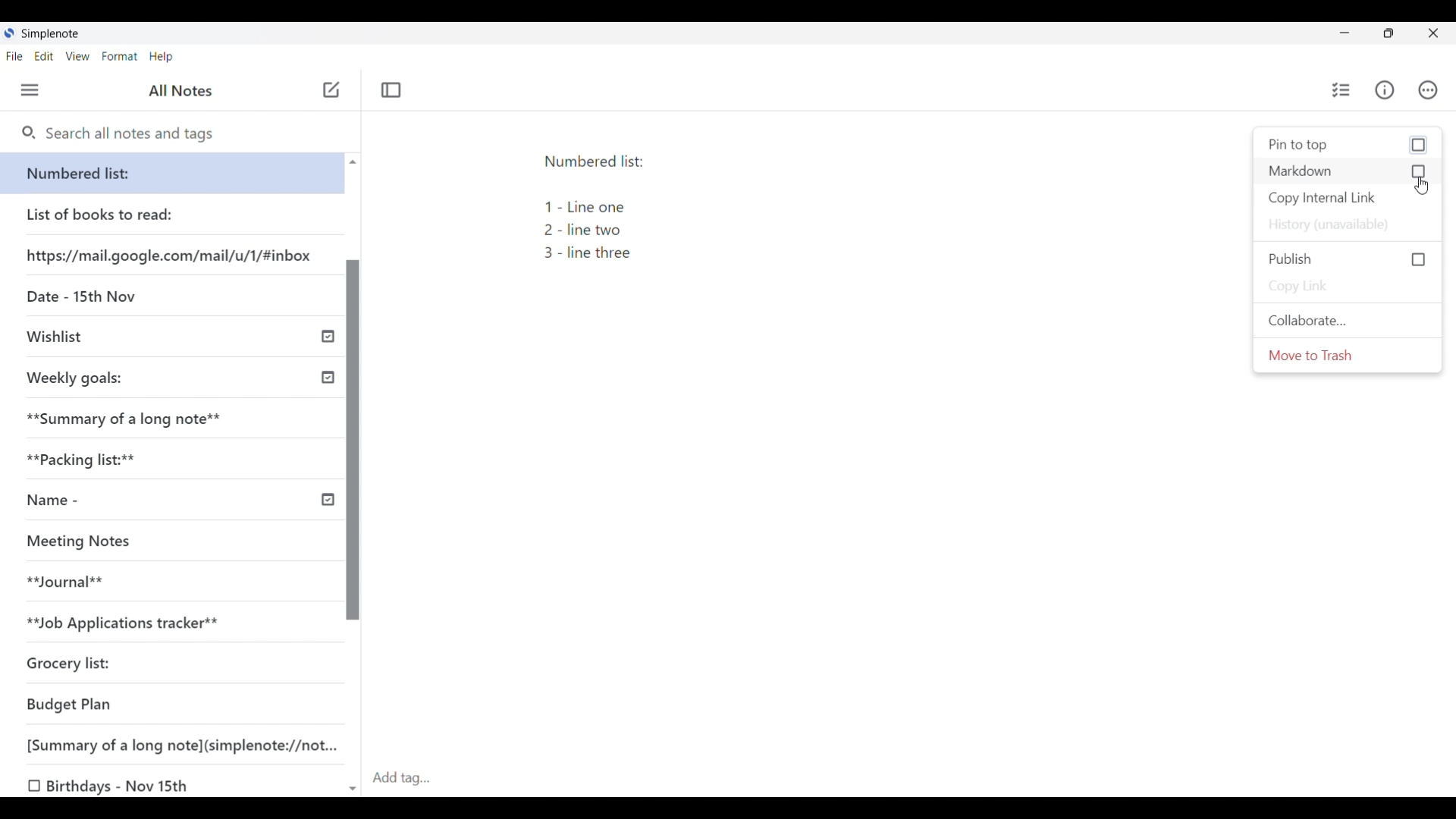  Describe the element at coordinates (30, 89) in the screenshot. I see `Menu` at that location.